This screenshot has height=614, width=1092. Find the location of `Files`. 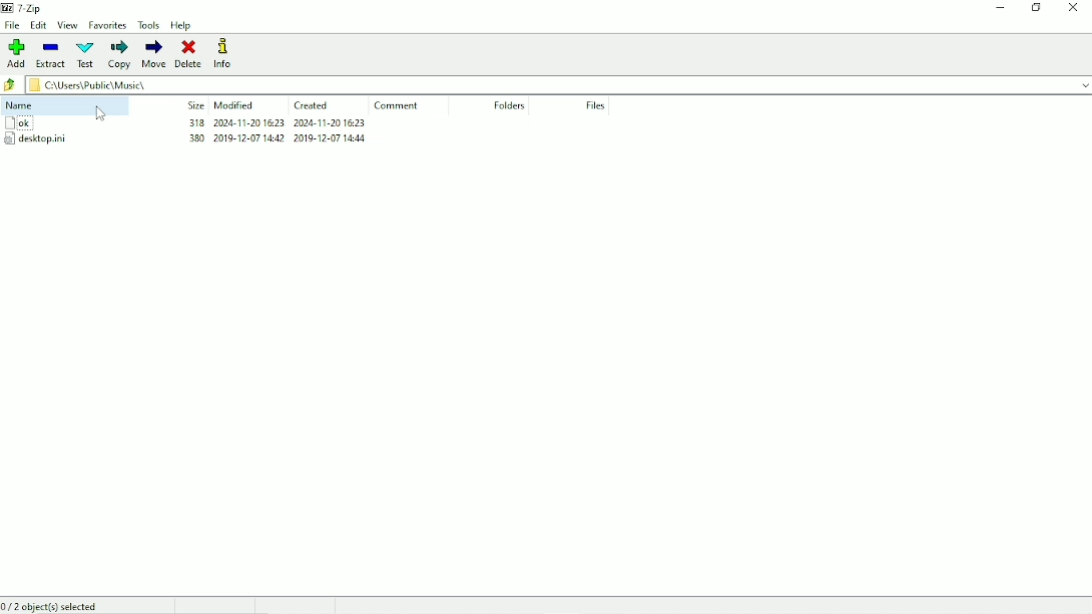

Files is located at coordinates (597, 106).